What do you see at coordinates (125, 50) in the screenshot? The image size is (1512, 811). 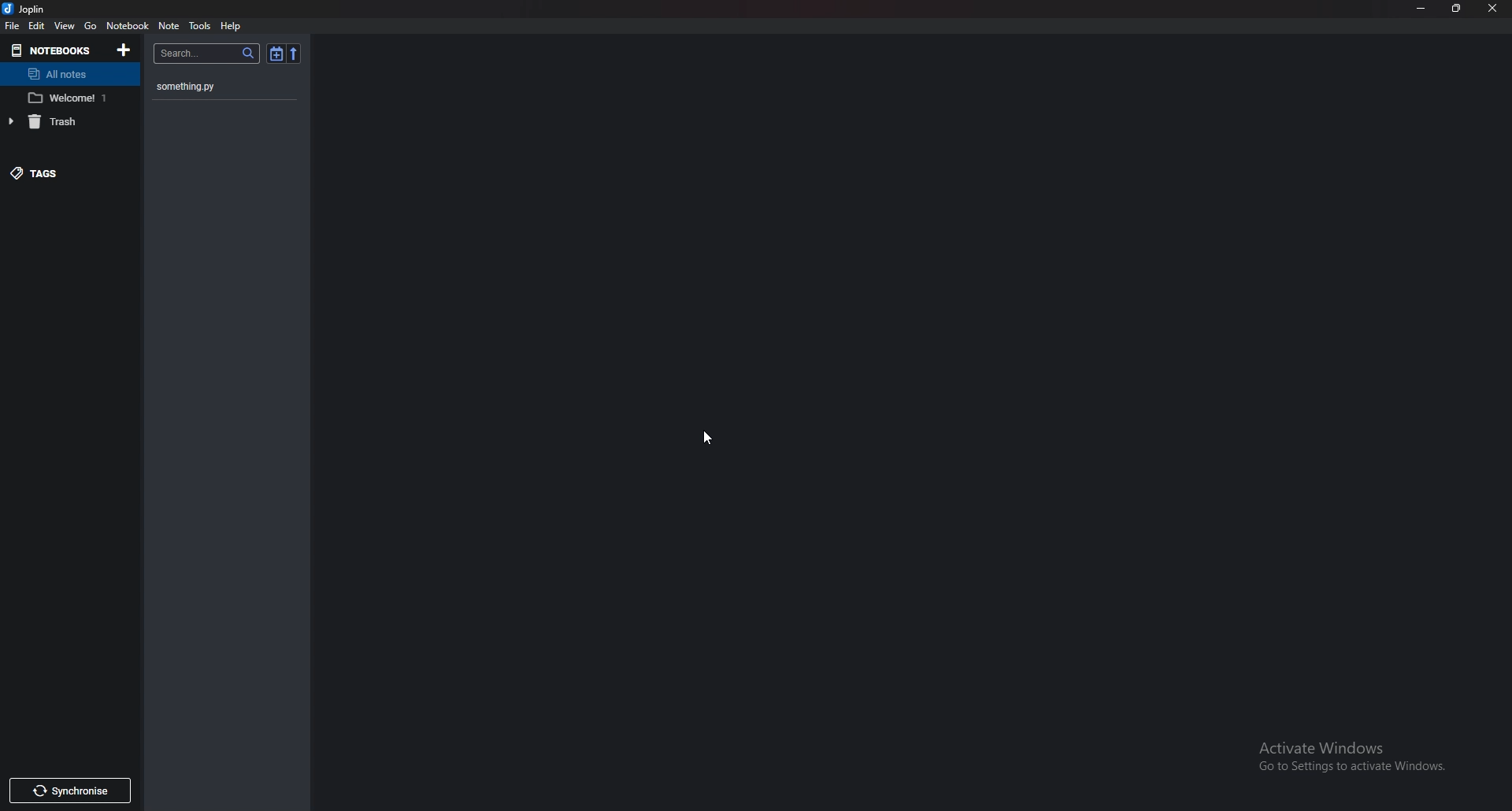 I see `Add notebooks` at bounding box center [125, 50].